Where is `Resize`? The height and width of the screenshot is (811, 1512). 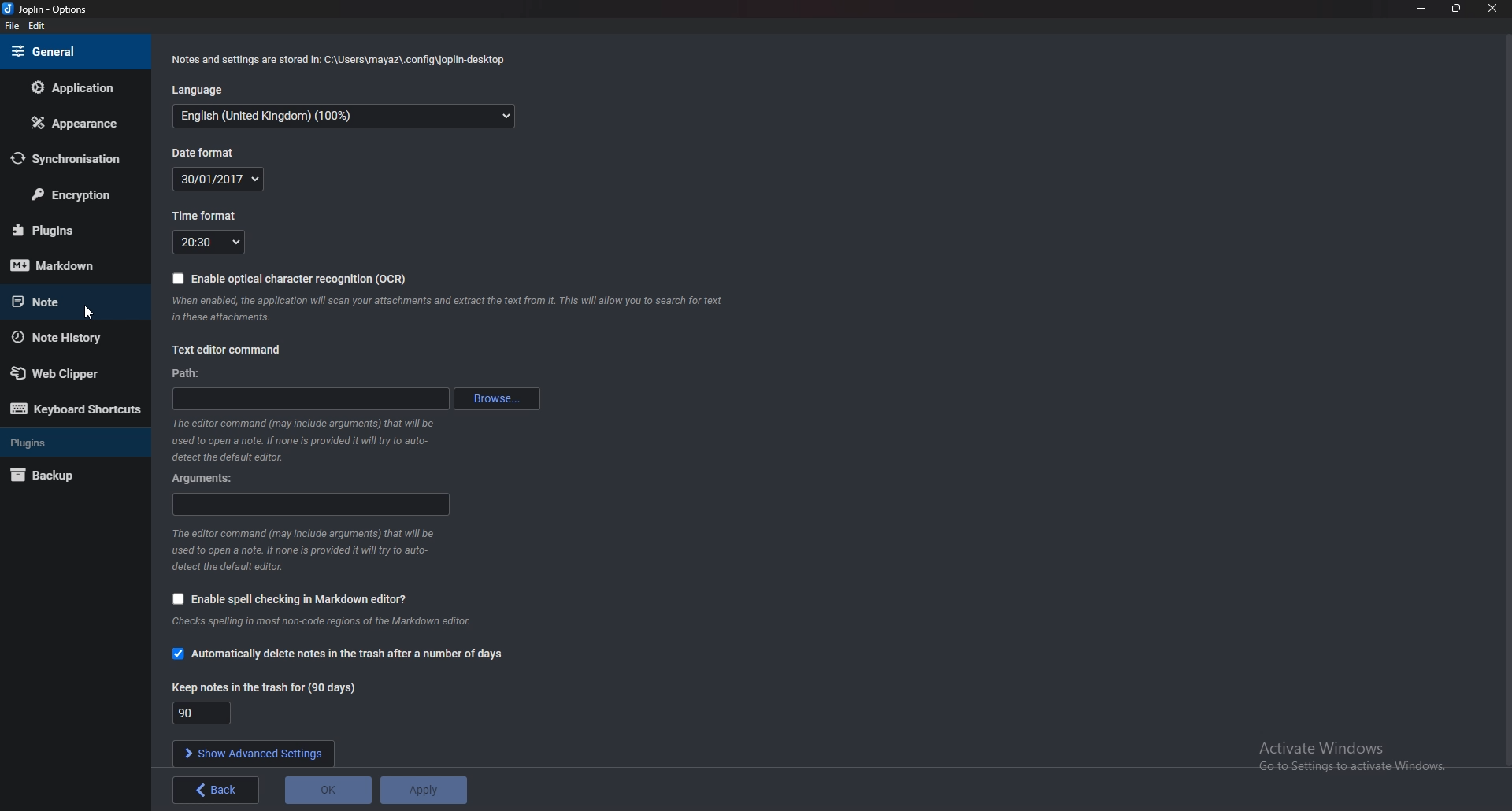
Resize is located at coordinates (1459, 9).